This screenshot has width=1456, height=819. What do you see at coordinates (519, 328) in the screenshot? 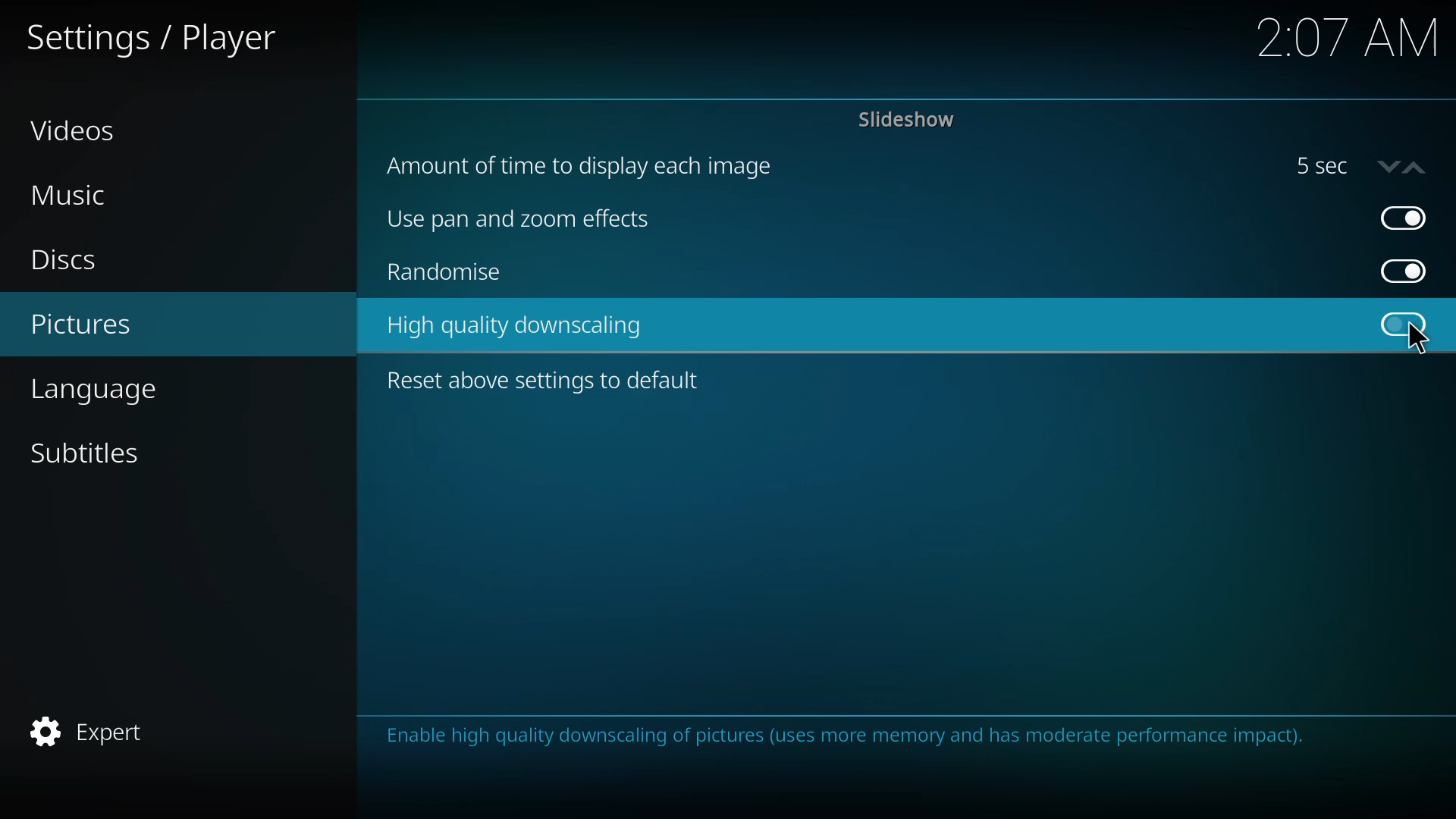
I see `high quality downscaling` at bounding box center [519, 328].